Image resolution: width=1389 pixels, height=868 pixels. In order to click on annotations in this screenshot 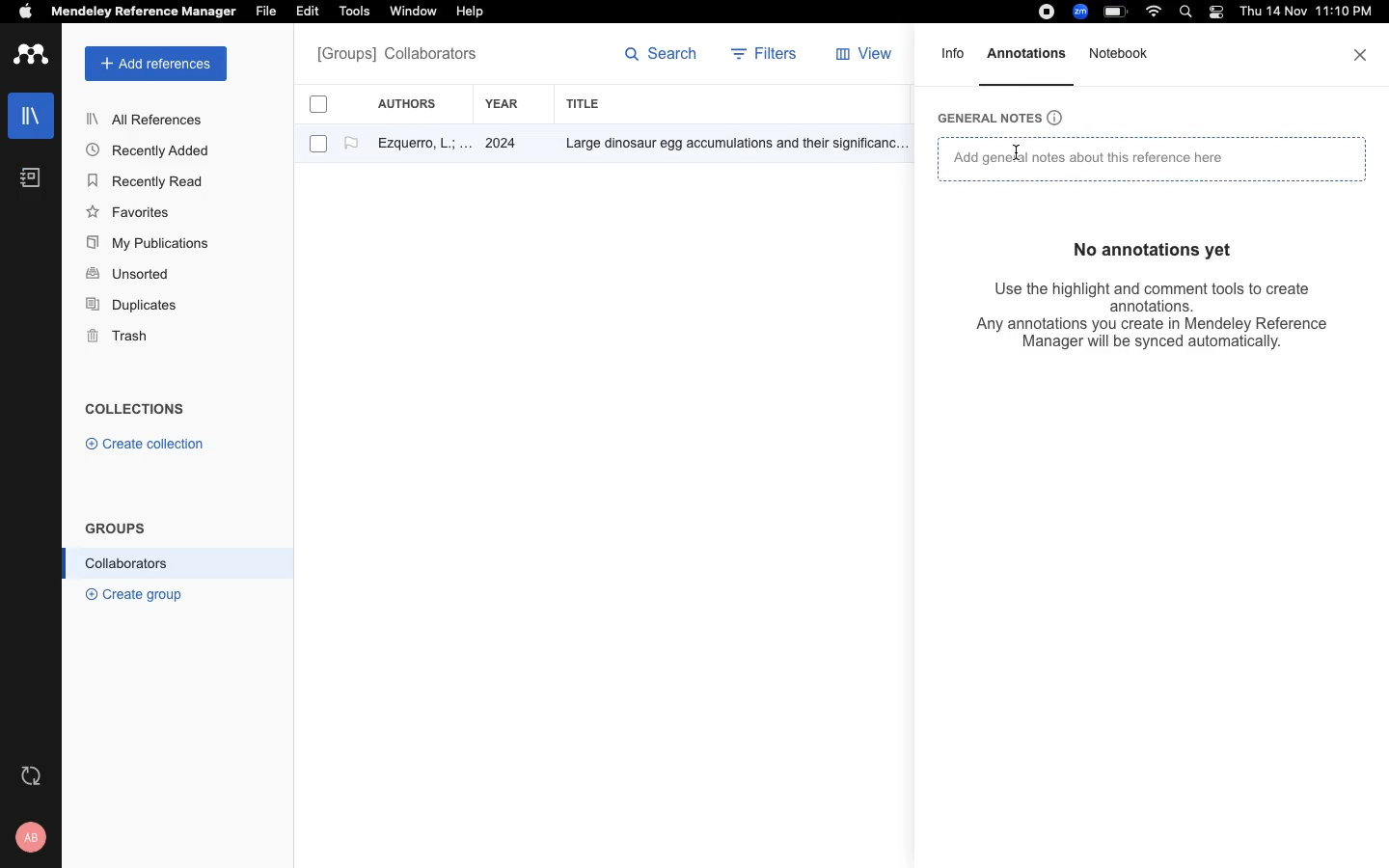, I will do `click(1029, 53)`.